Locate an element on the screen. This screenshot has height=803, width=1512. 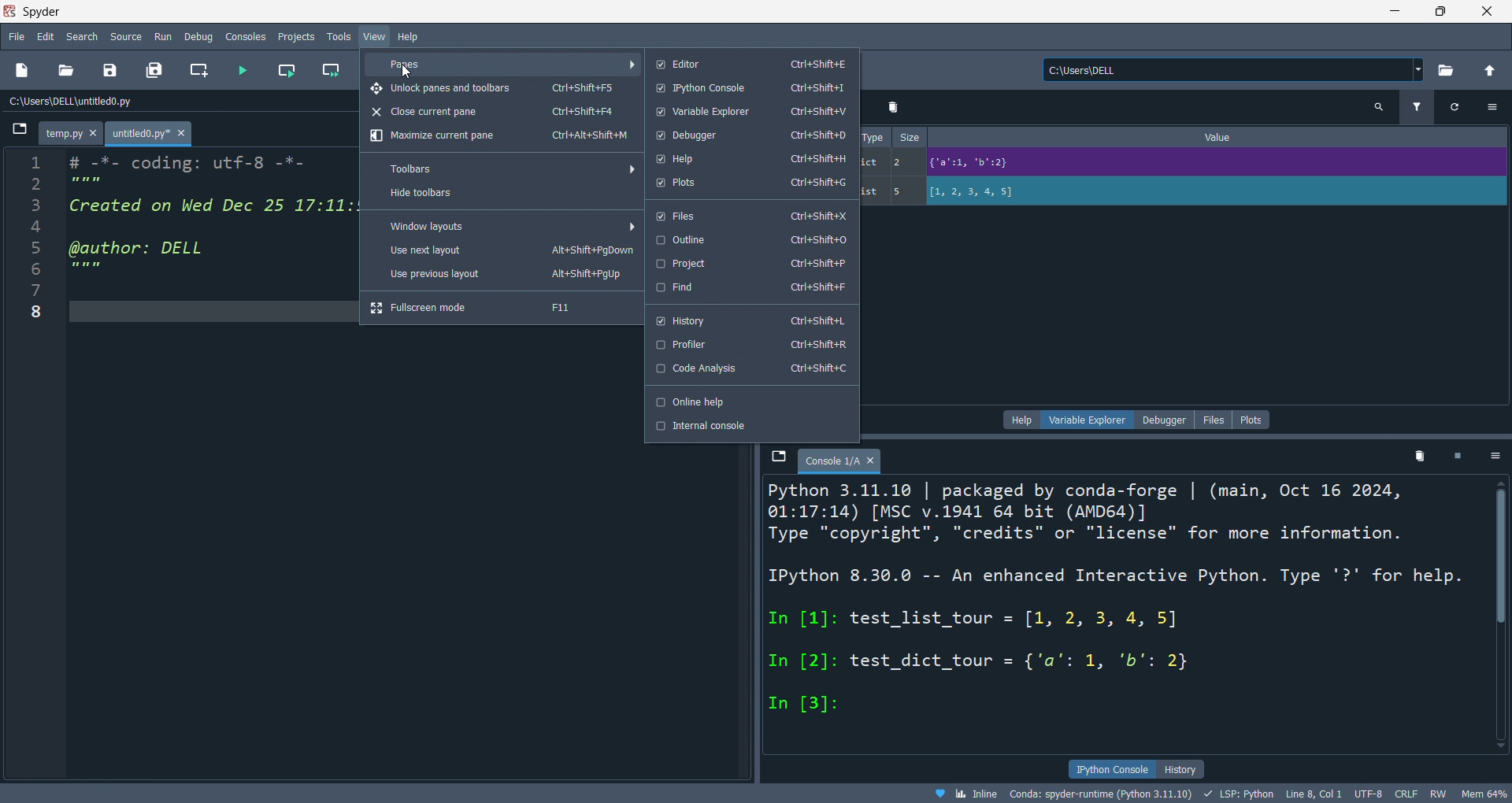
files is located at coordinates (750, 214).